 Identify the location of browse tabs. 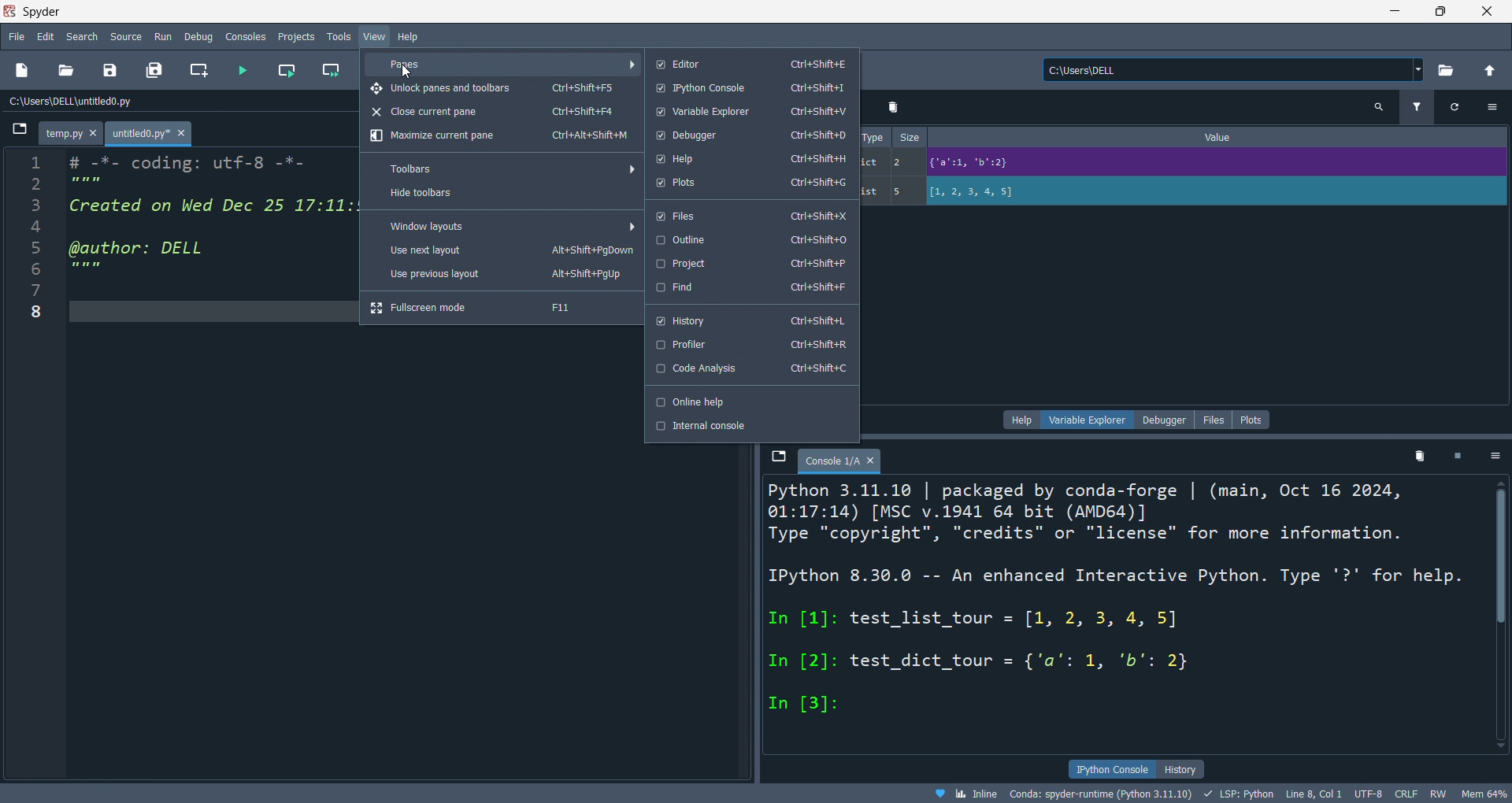
(777, 457).